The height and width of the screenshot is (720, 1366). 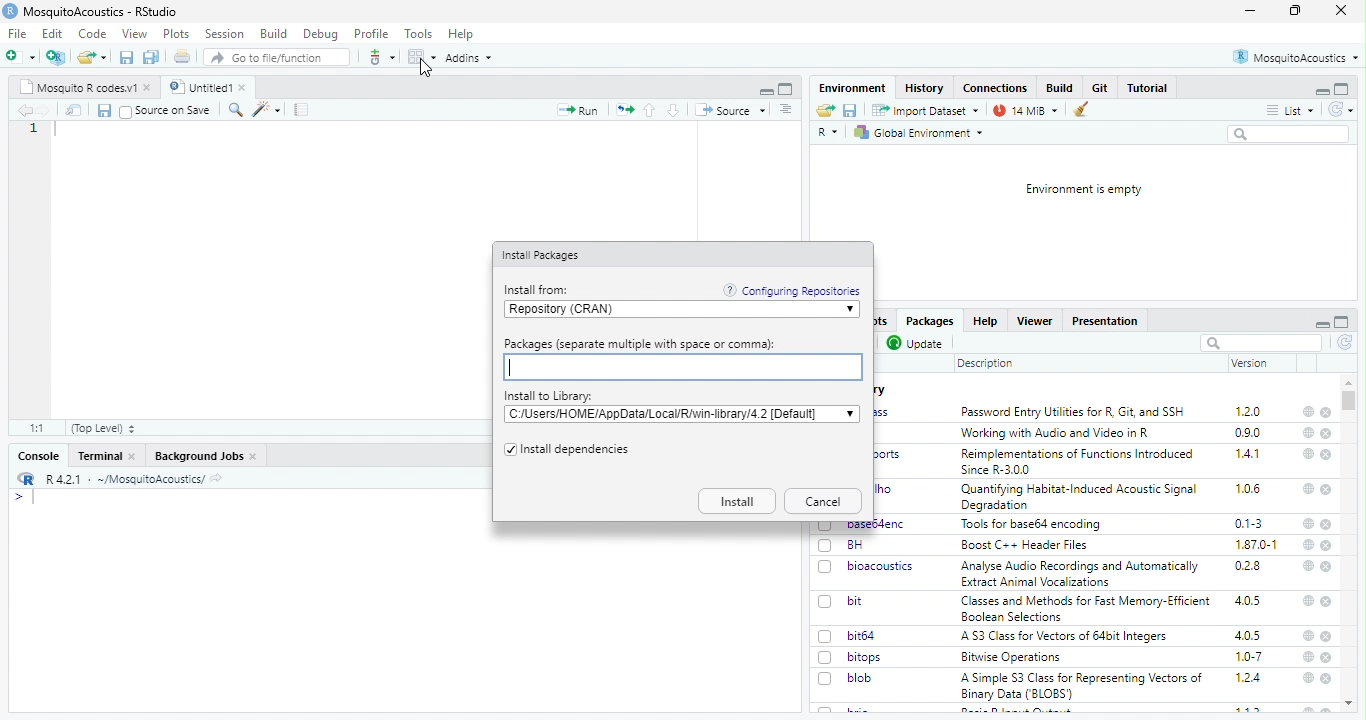 I want to click on Debug, so click(x=322, y=35).